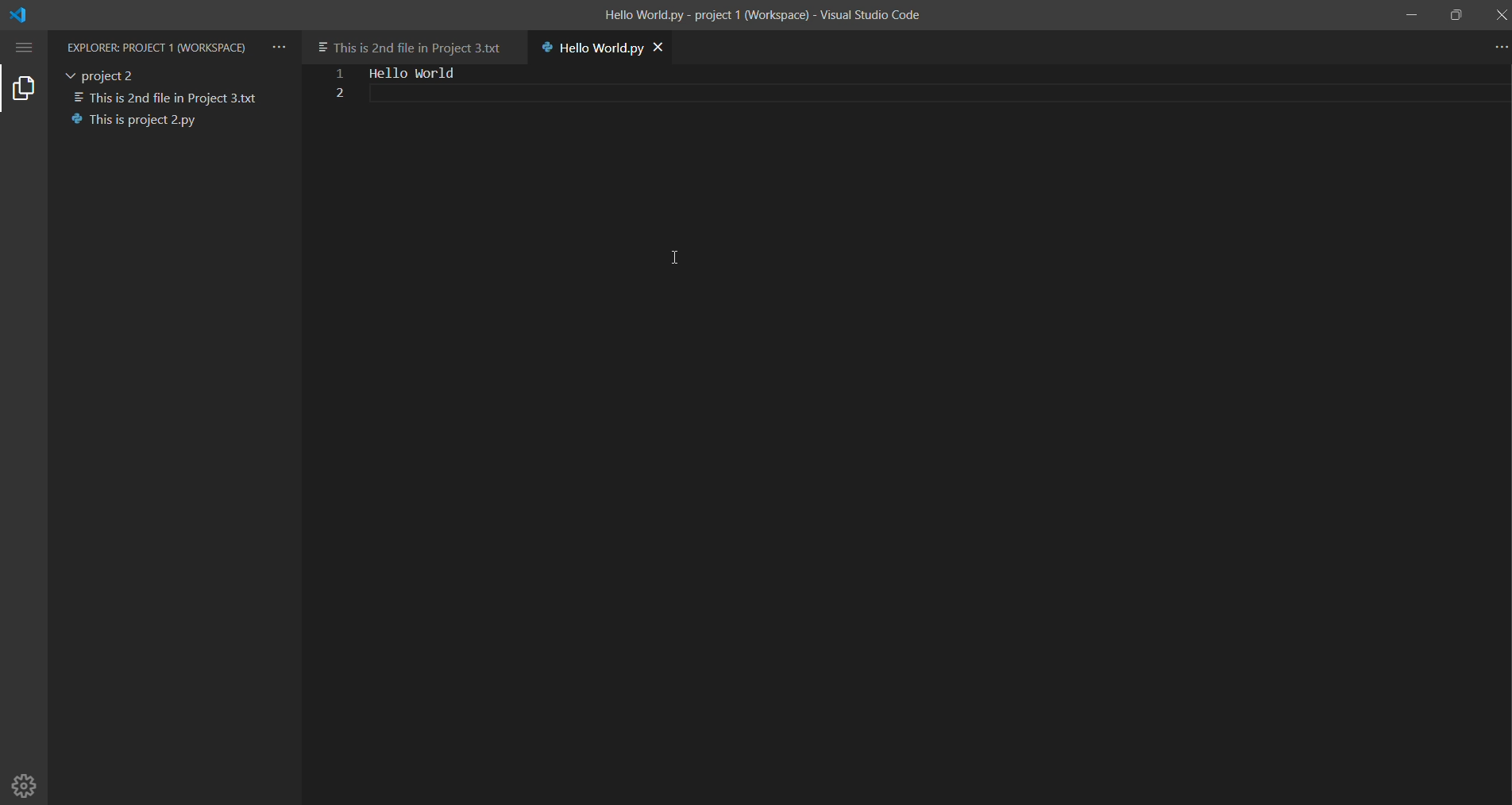 The width and height of the screenshot is (1512, 805). I want to click on explorer workspace, so click(158, 45).